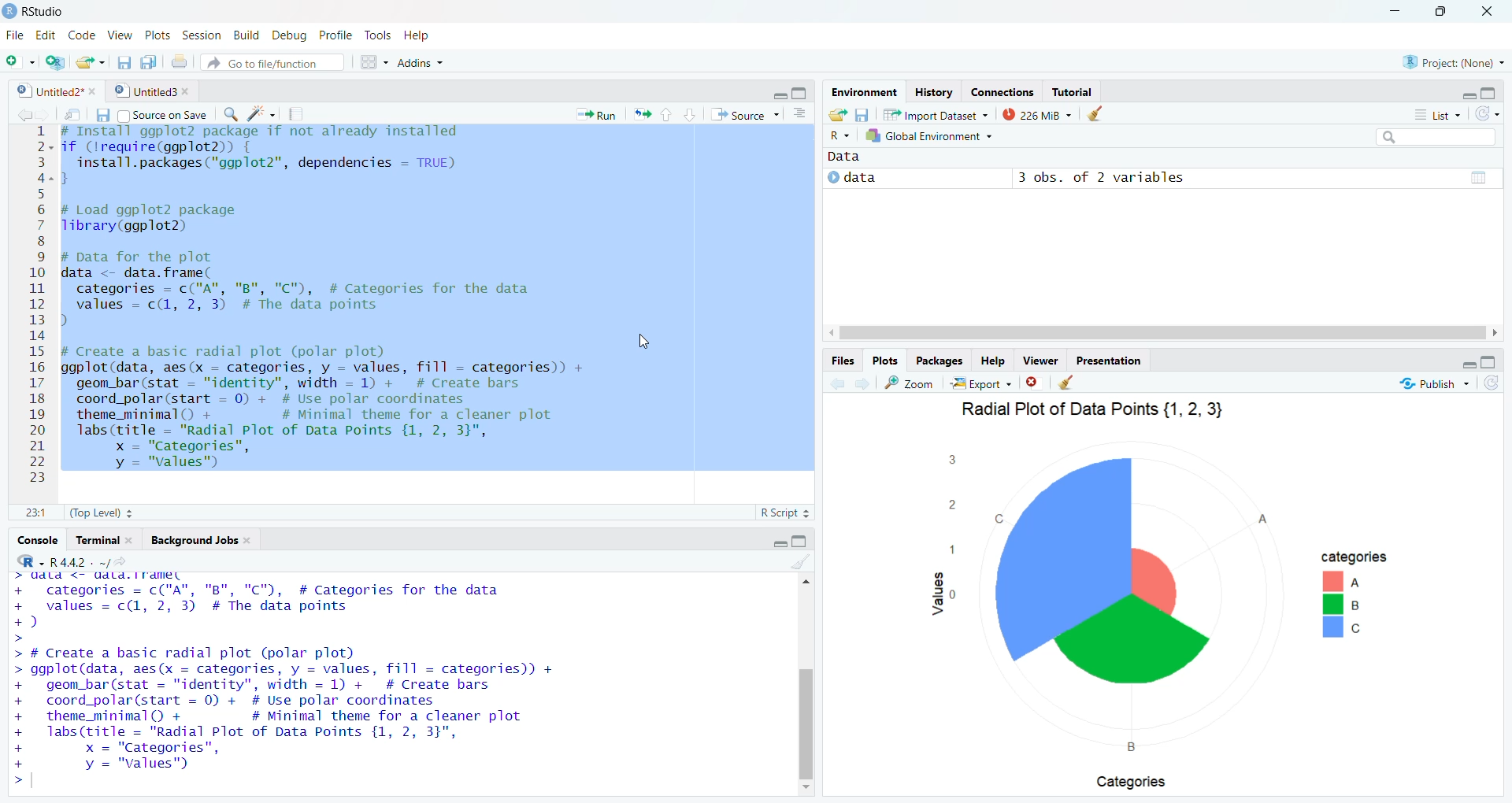 The height and width of the screenshot is (803, 1512). I want to click on scroll left, so click(834, 333).